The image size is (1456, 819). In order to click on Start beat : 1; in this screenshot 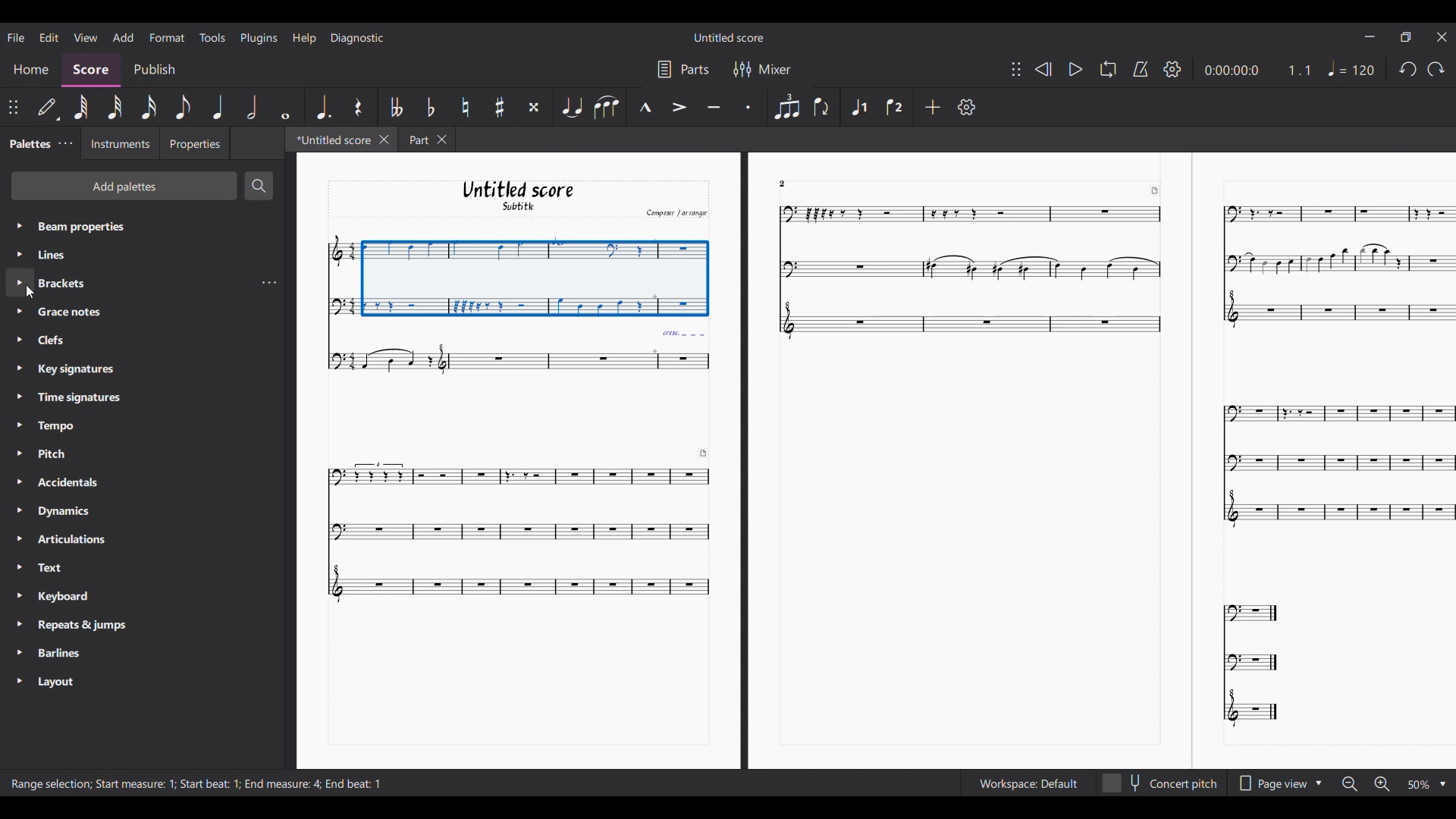, I will do `click(211, 784)`.